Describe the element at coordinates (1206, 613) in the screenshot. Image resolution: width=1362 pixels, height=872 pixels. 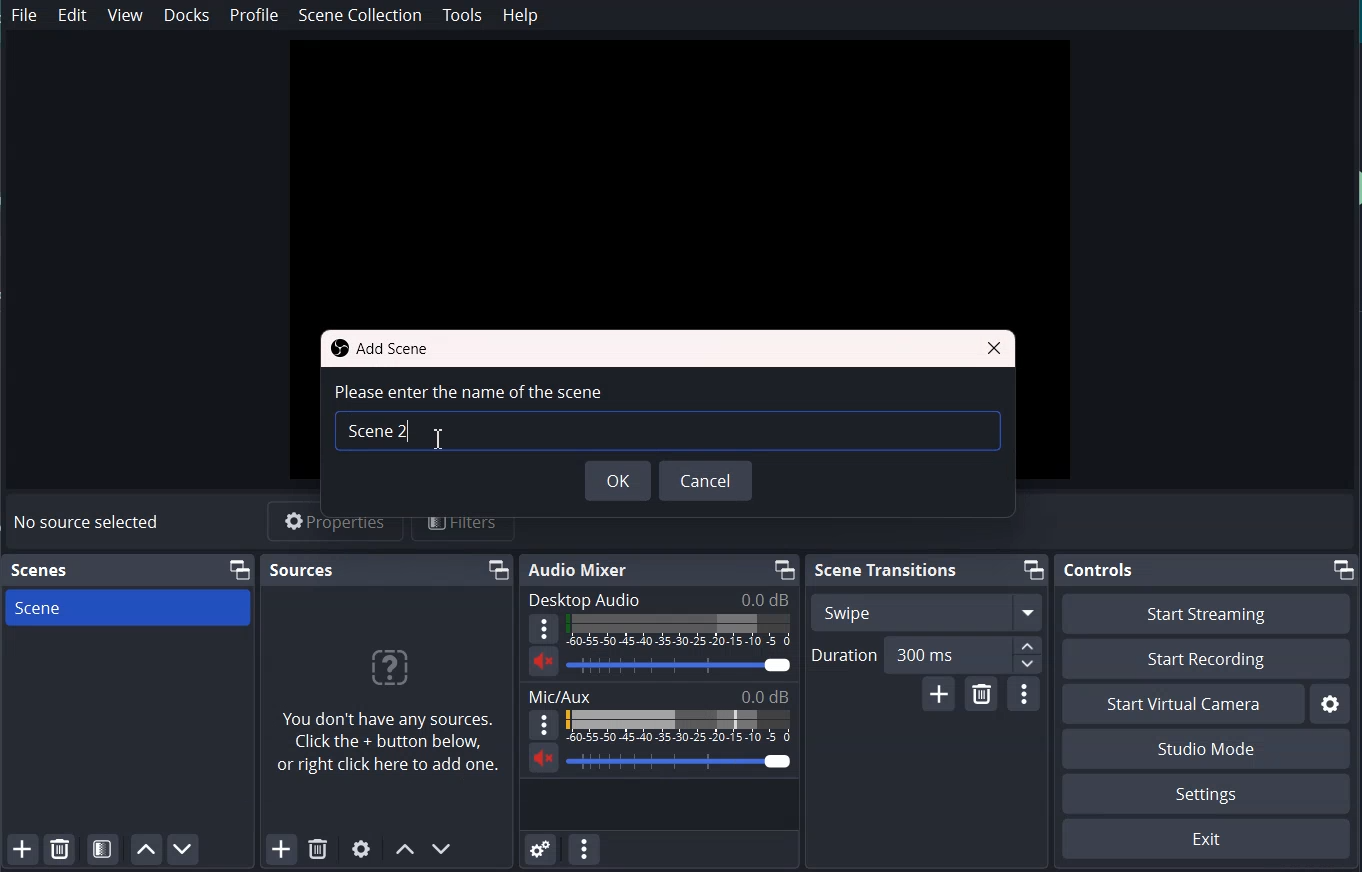
I see `Start Streaming` at that location.